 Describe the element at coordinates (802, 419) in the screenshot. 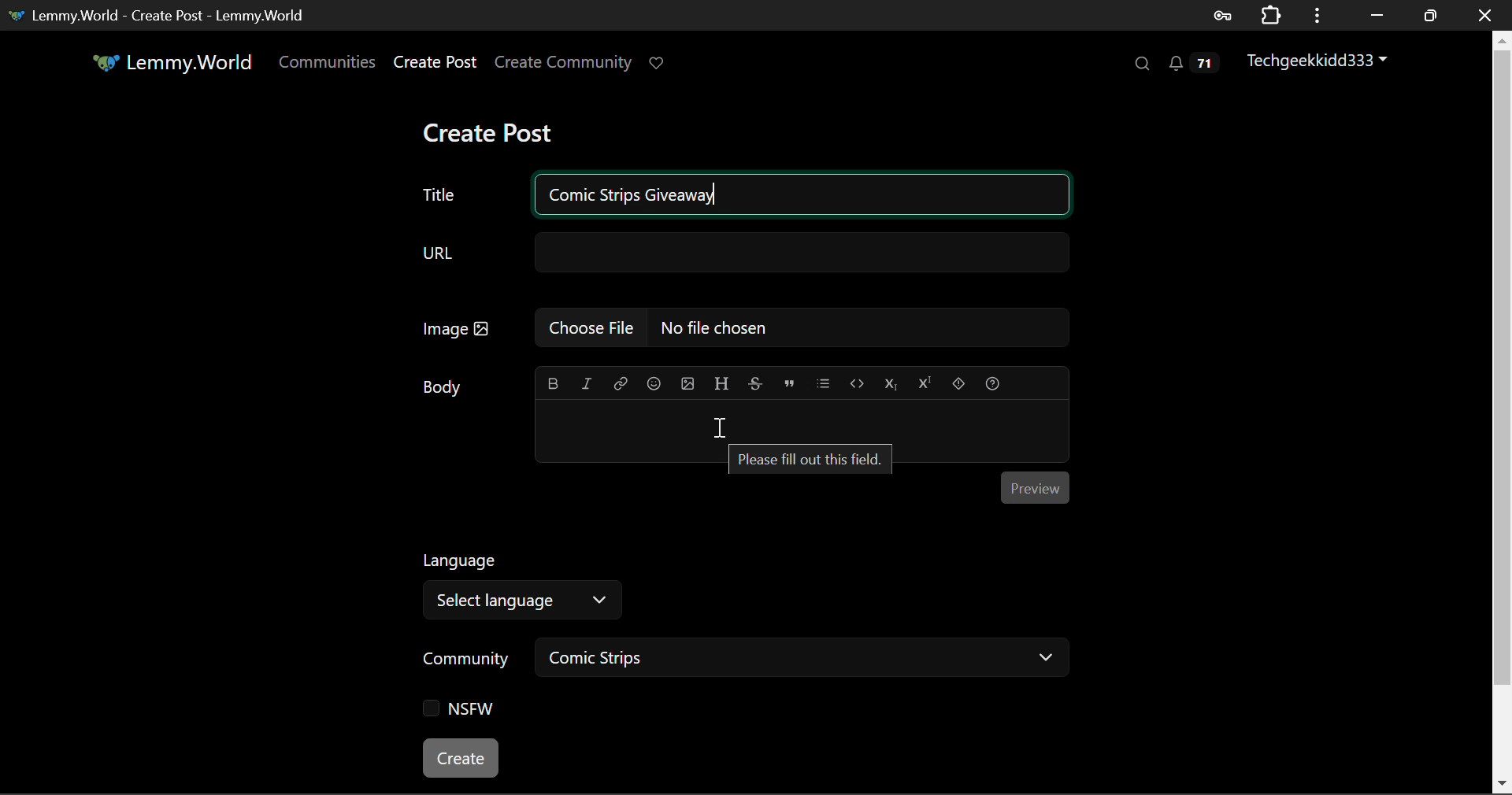

I see `Post Body Textbox` at that location.